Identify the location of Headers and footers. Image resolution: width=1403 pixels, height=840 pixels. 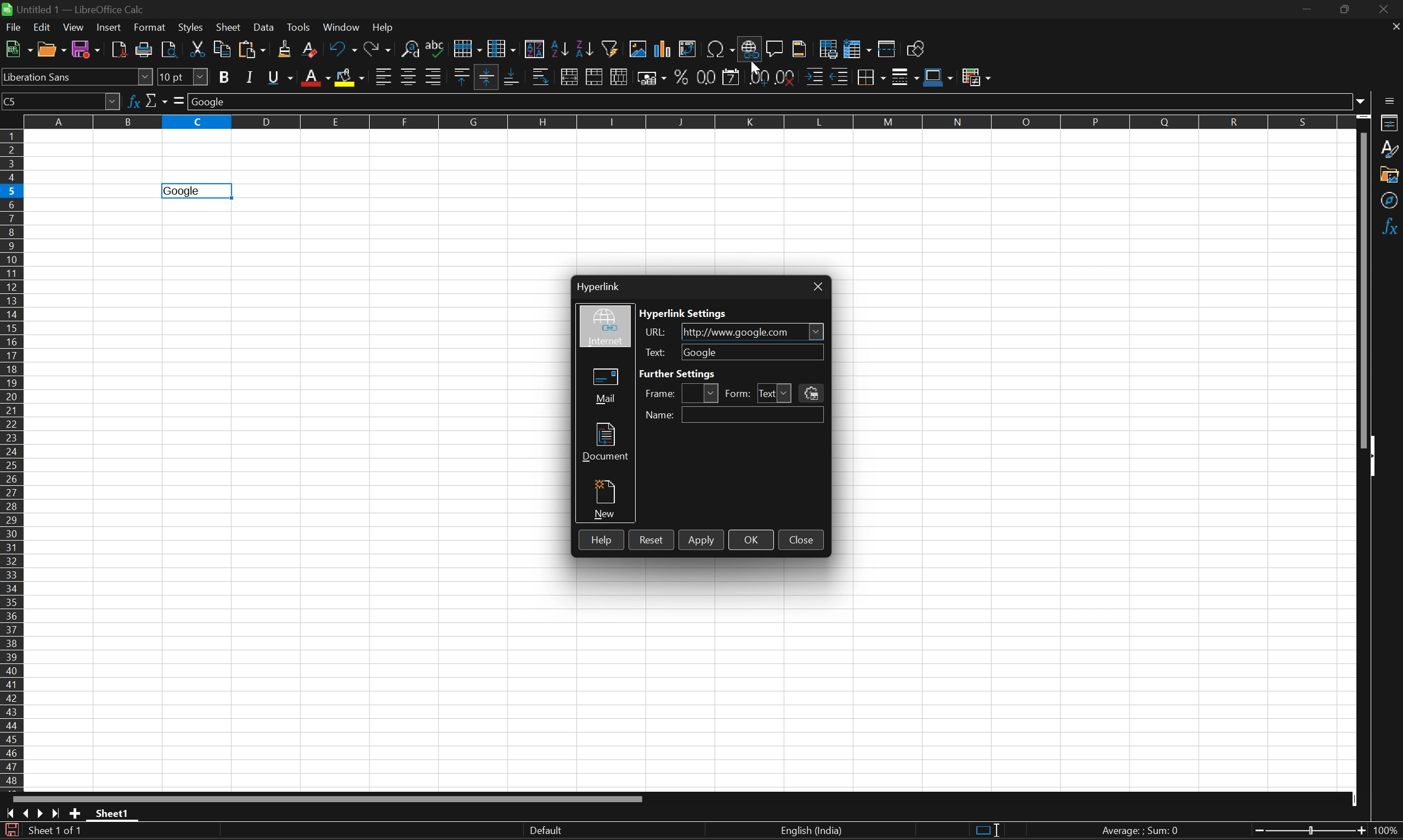
(800, 48).